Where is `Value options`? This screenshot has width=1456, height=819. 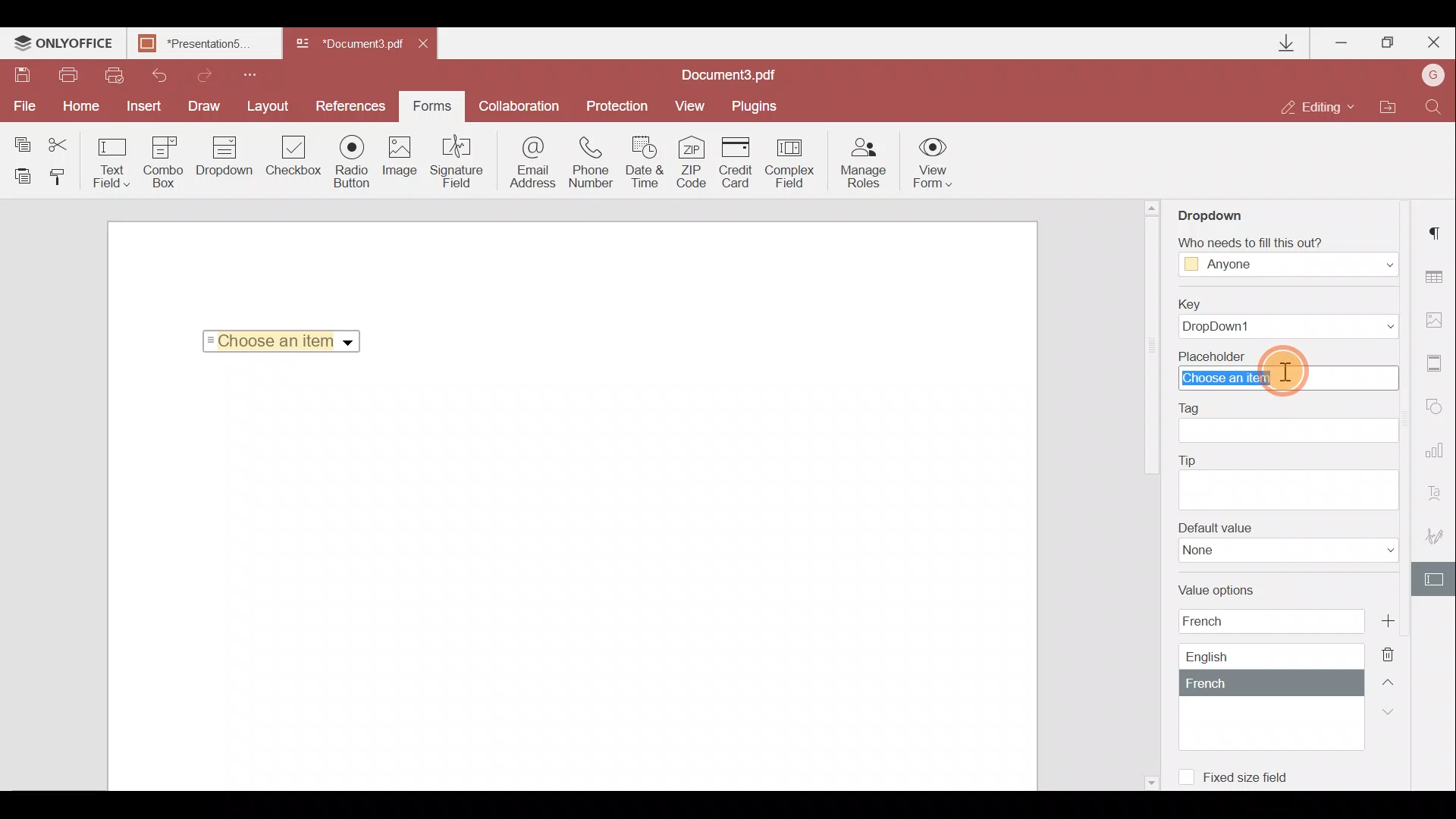 Value options is located at coordinates (1260, 666).